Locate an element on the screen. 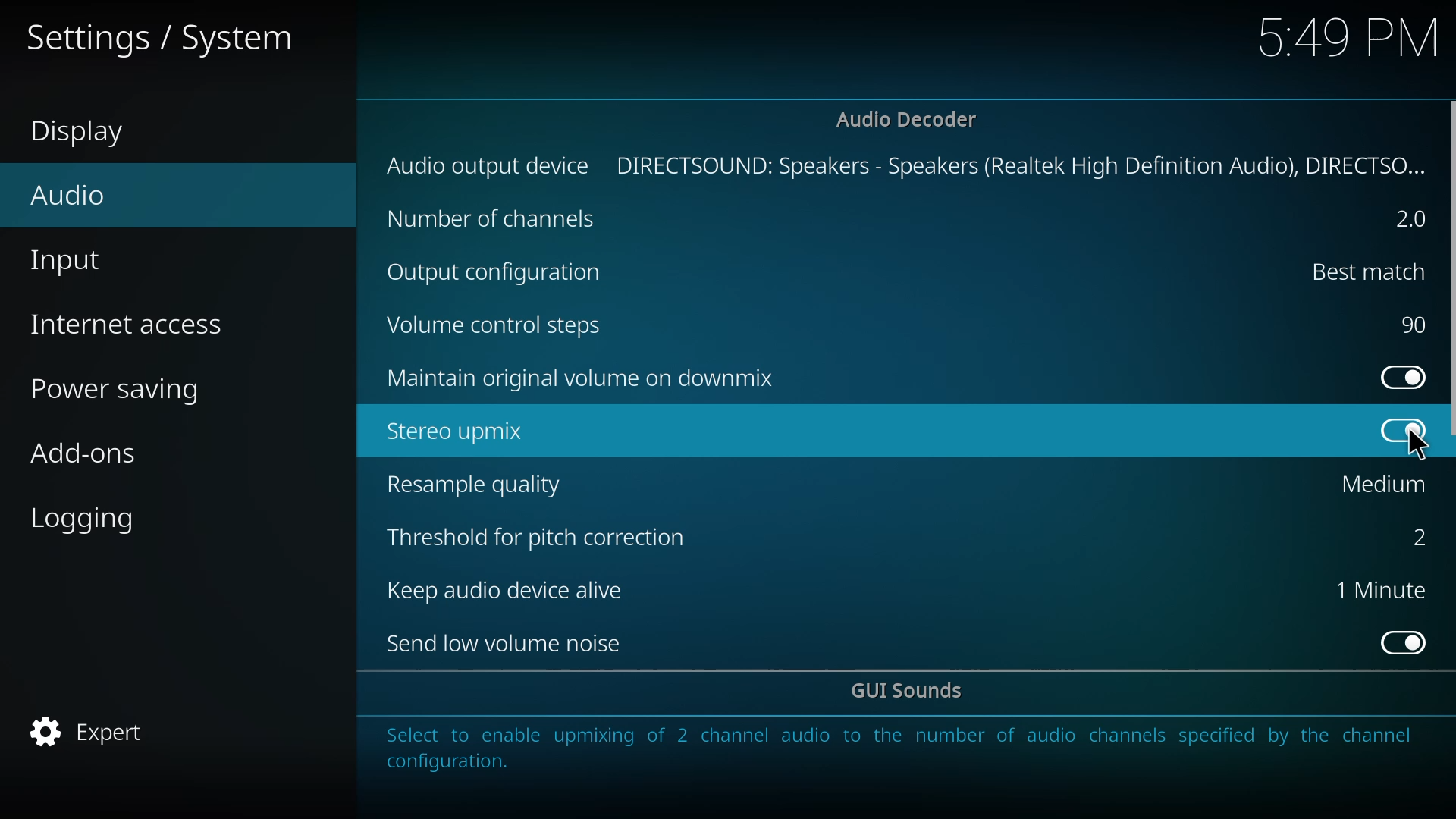 The image size is (1456, 819). threshold is located at coordinates (547, 536).